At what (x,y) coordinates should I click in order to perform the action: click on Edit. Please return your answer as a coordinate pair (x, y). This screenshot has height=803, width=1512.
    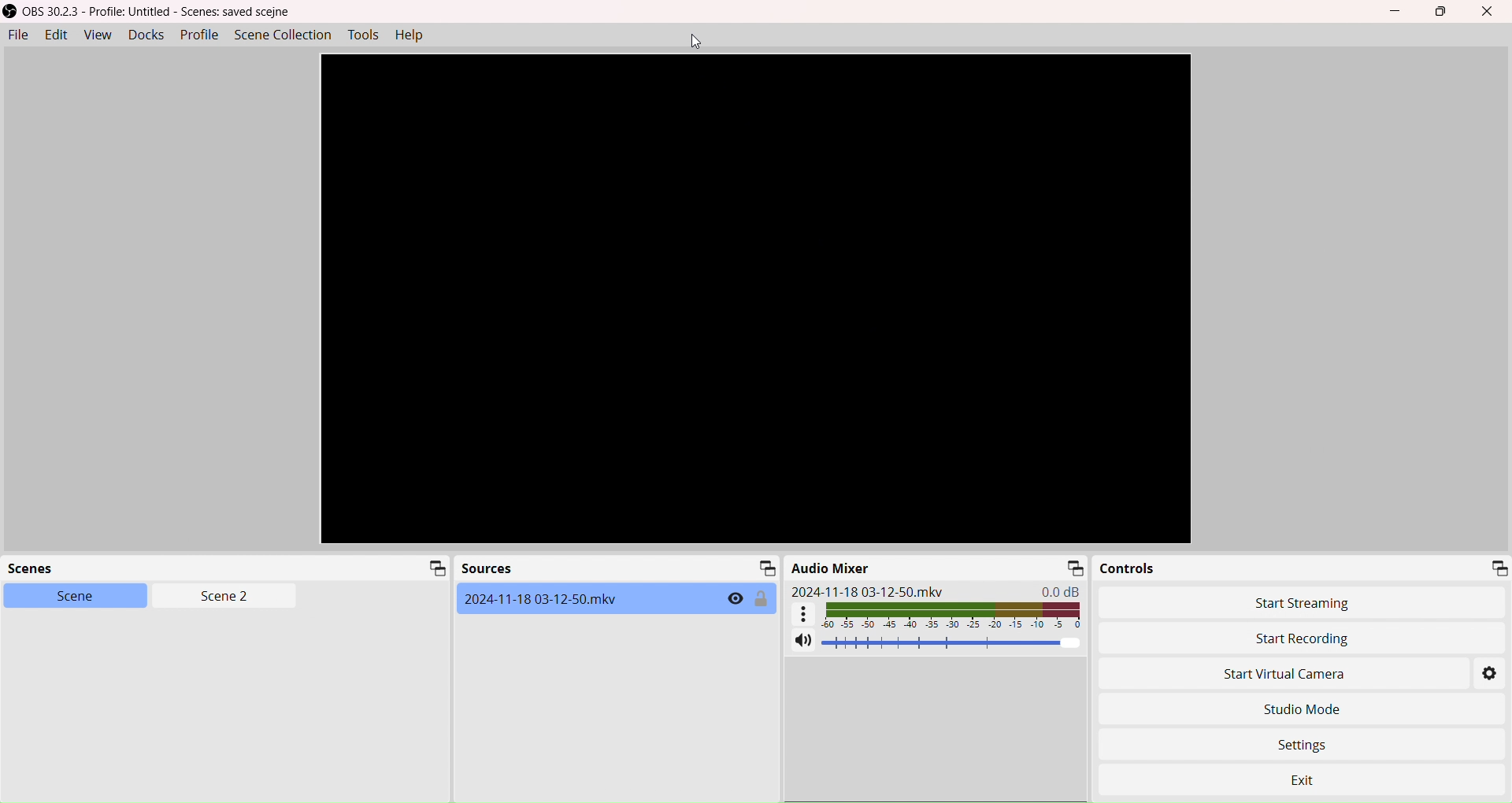
    Looking at the image, I should click on (54, 35).